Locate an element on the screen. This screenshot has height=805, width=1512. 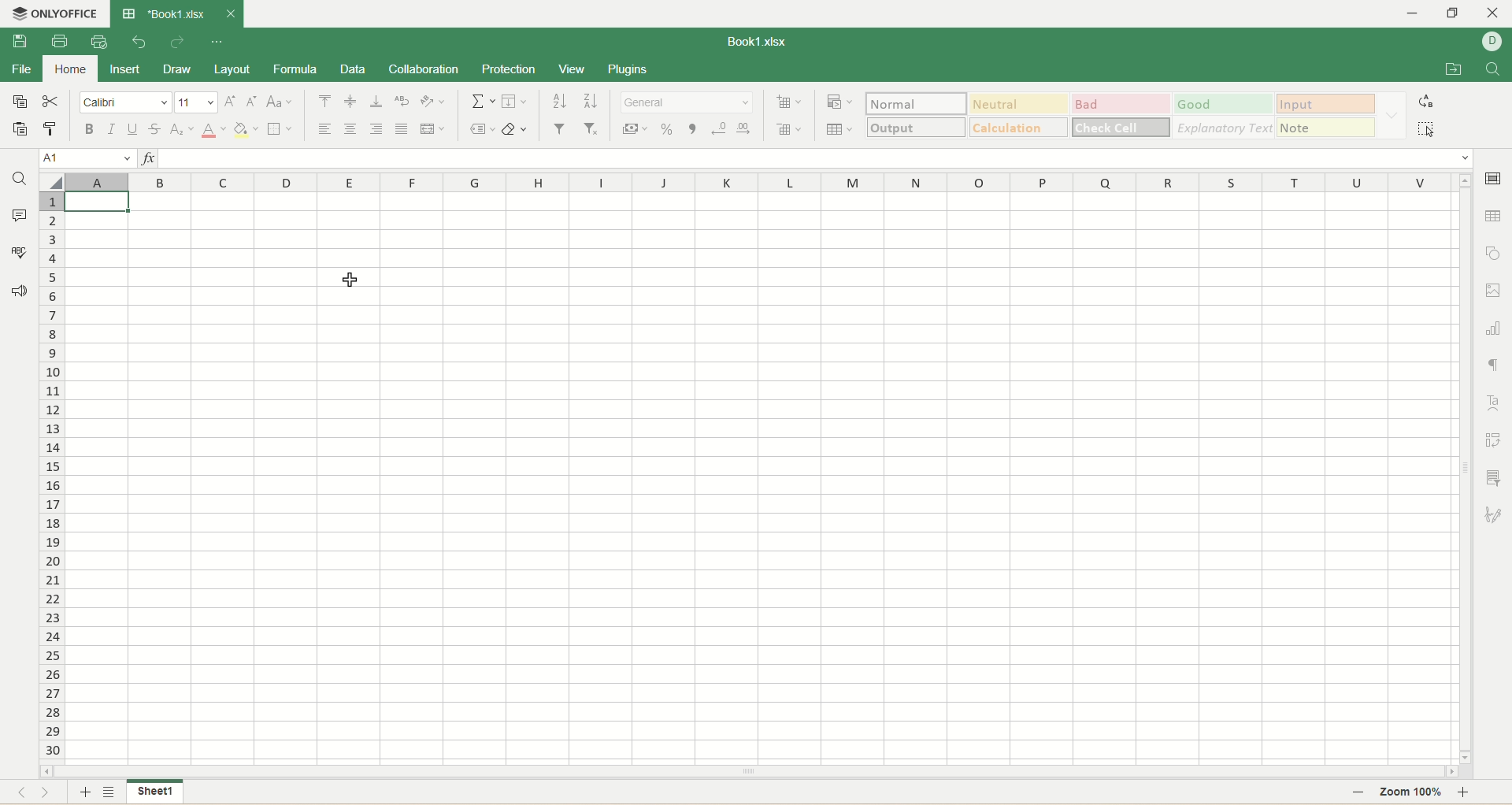
comment is located at coordinates (20, 217).